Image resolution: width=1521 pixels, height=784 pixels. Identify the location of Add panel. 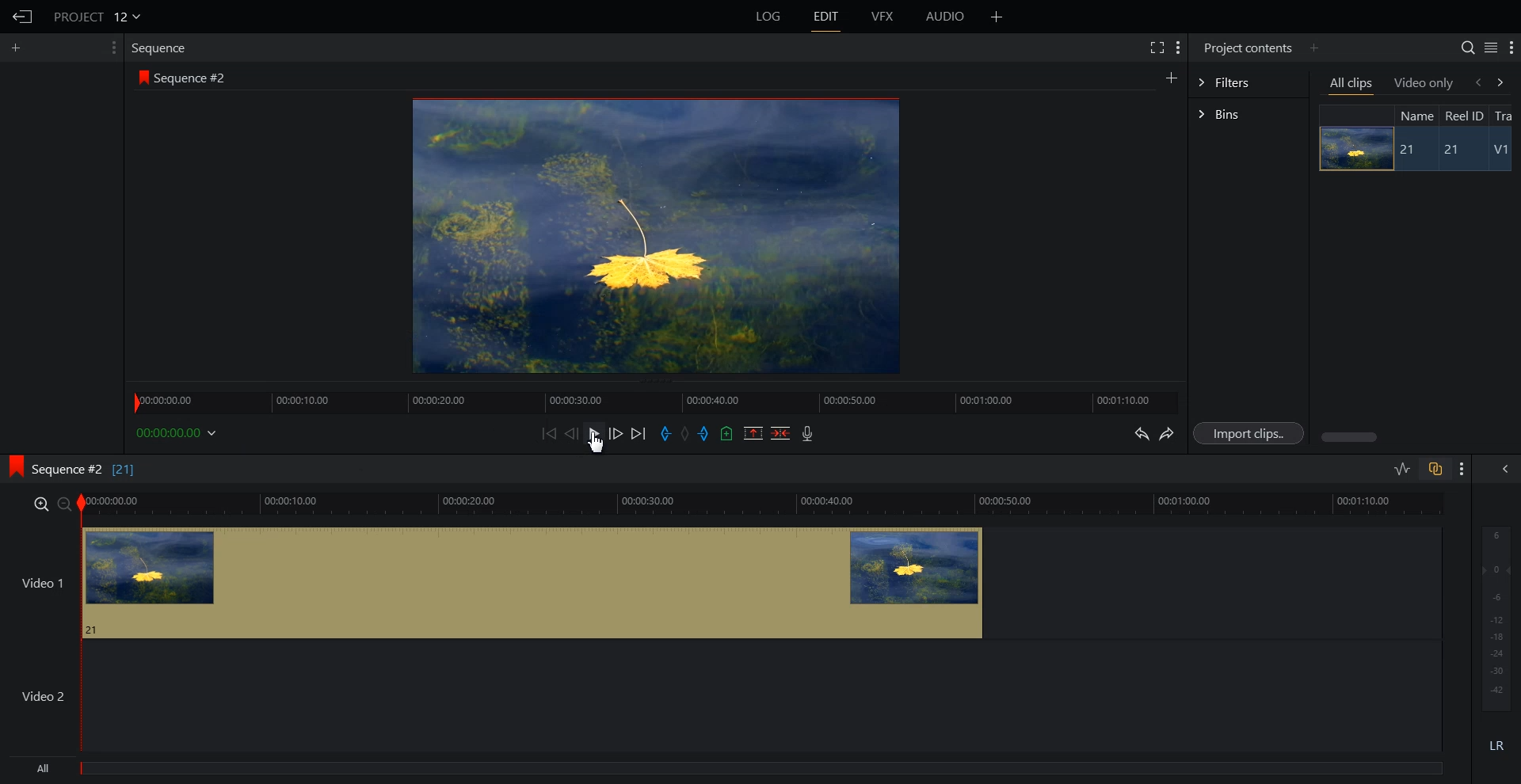
(1171, 77).